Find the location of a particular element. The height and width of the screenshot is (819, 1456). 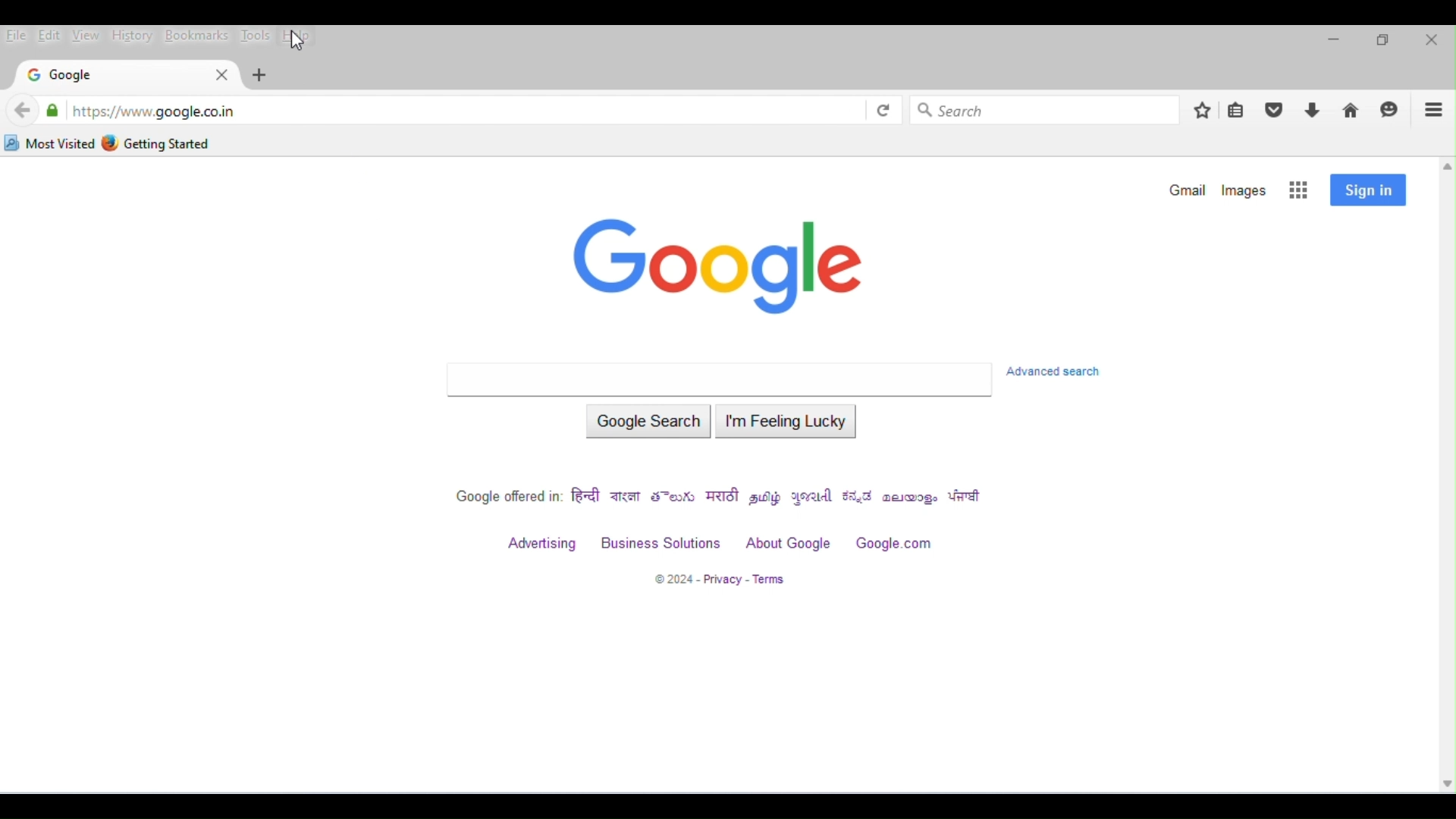

2024-privacy terms is located at coordinates (718, 579).